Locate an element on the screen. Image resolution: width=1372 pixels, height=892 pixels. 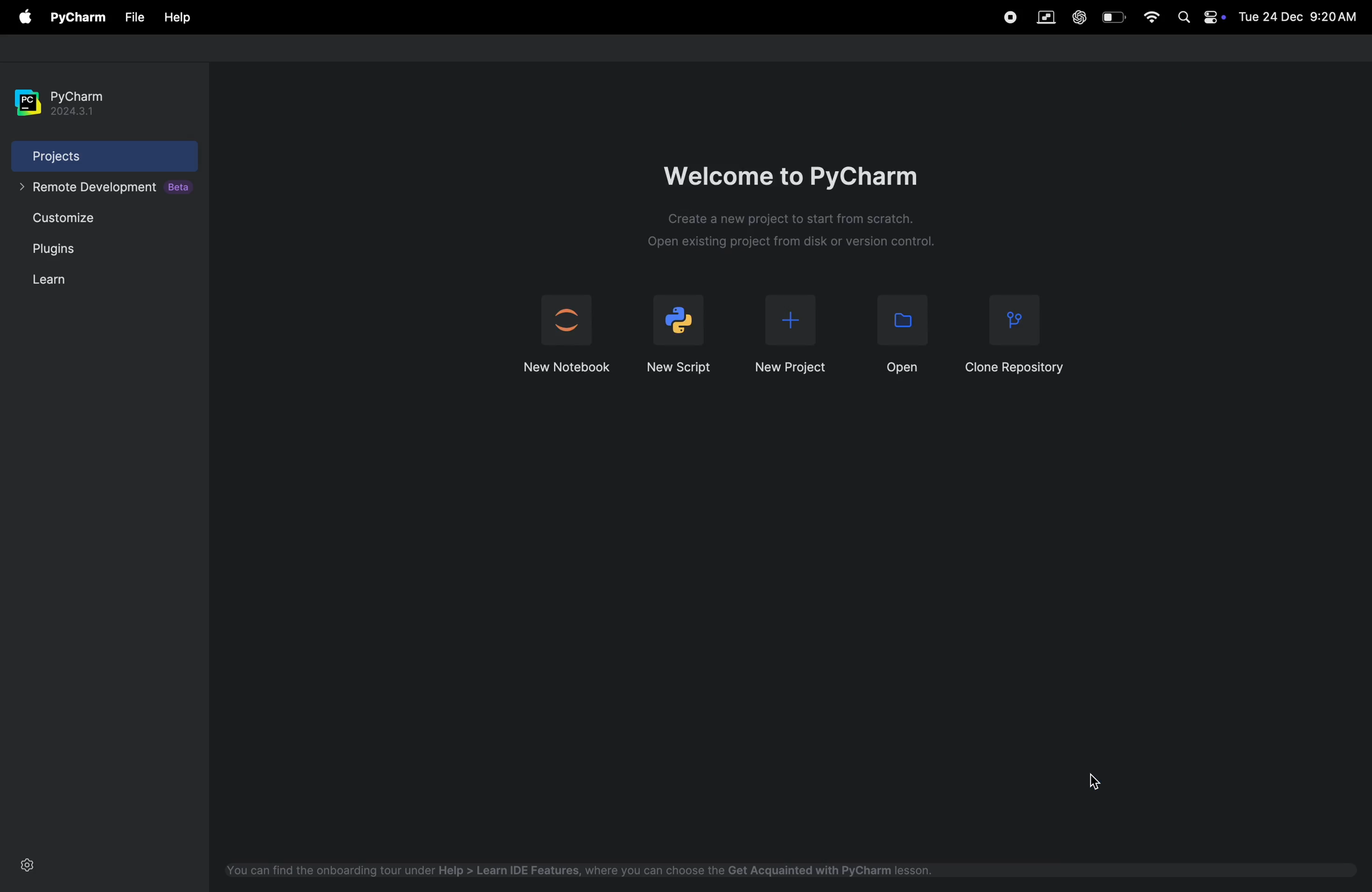
learn is located at coordinates (68, 279).